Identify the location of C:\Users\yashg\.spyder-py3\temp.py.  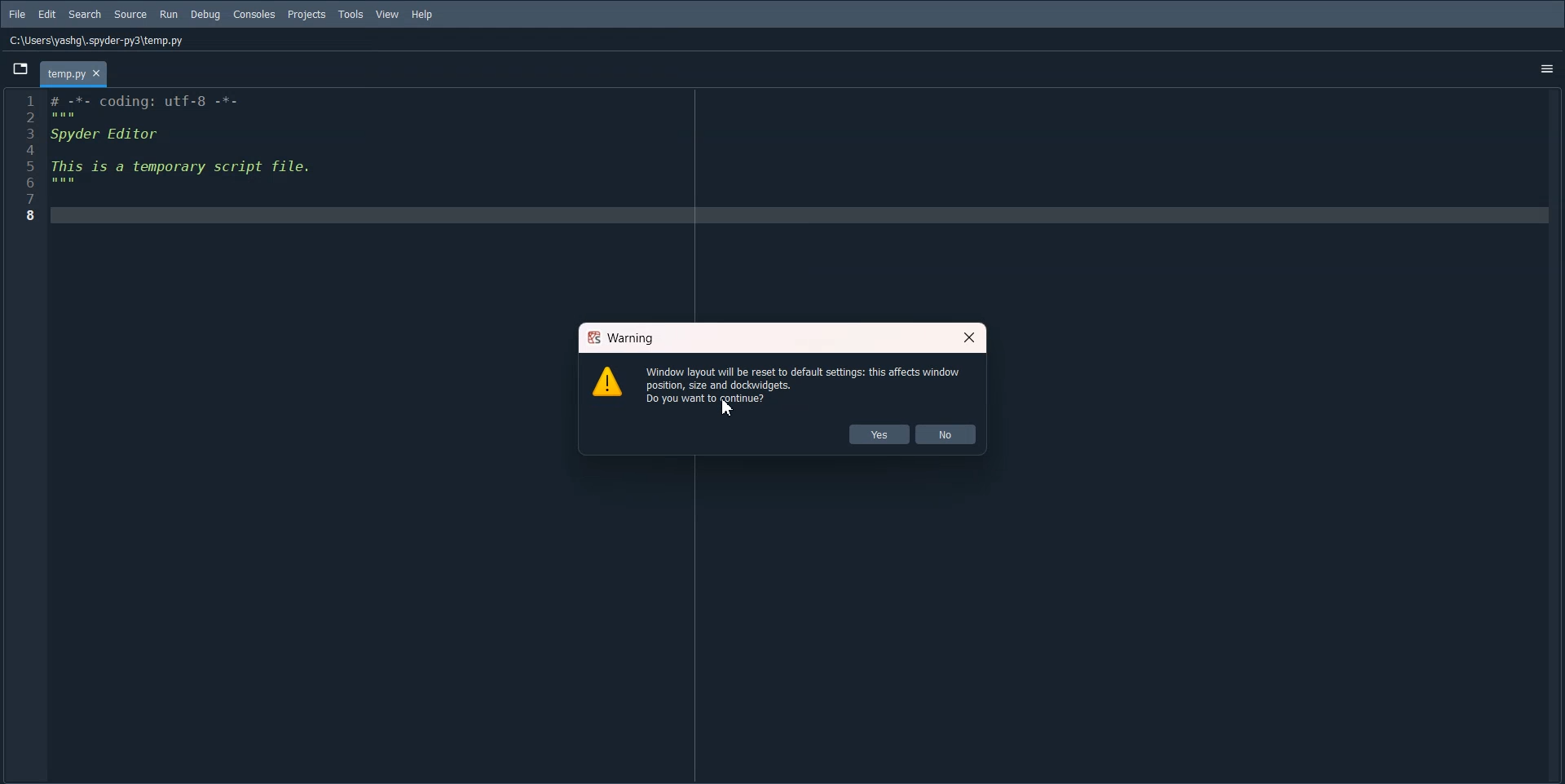
(95, 39).